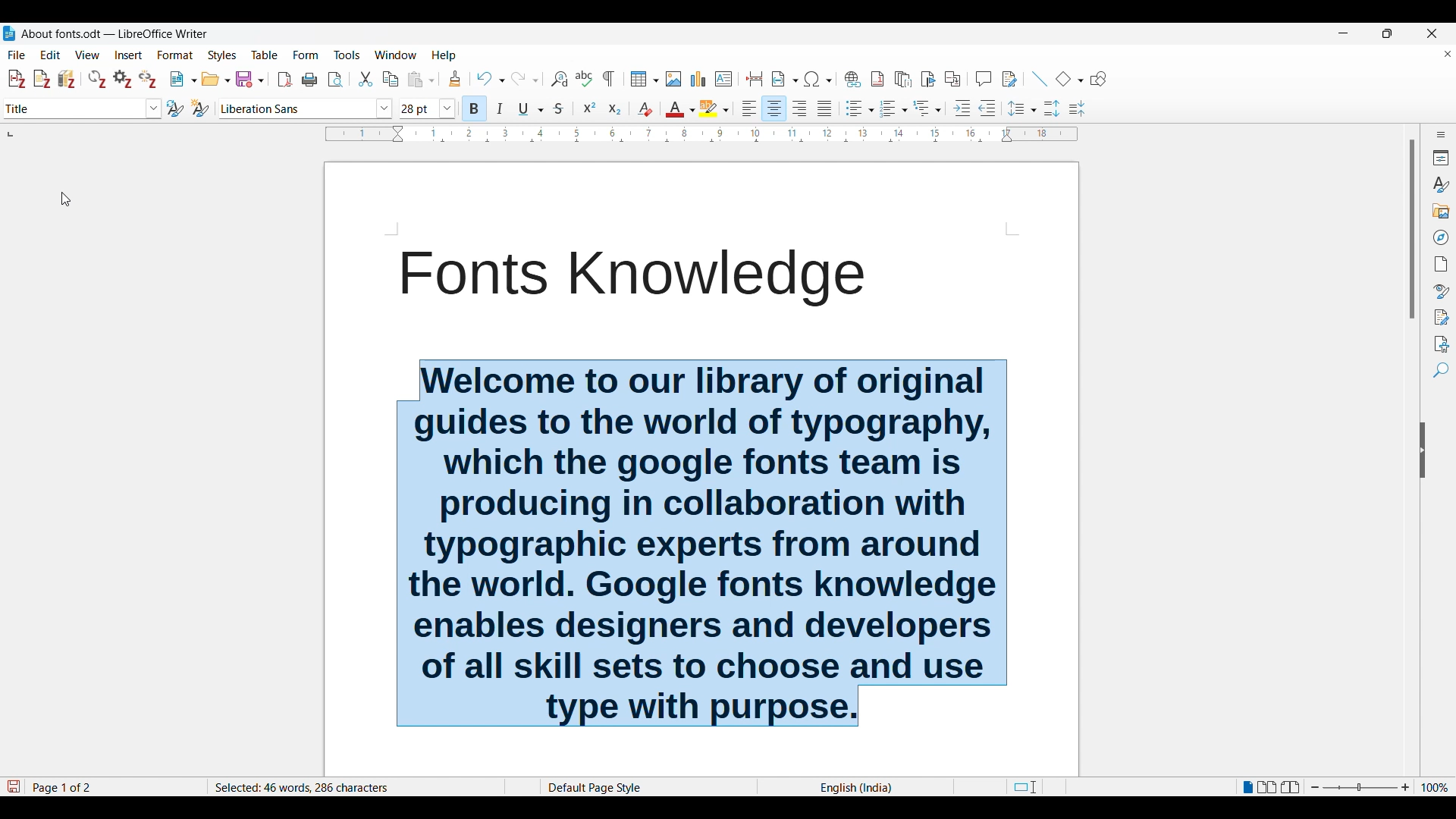  I want to click on Show draw functions, so click(1099, 78).